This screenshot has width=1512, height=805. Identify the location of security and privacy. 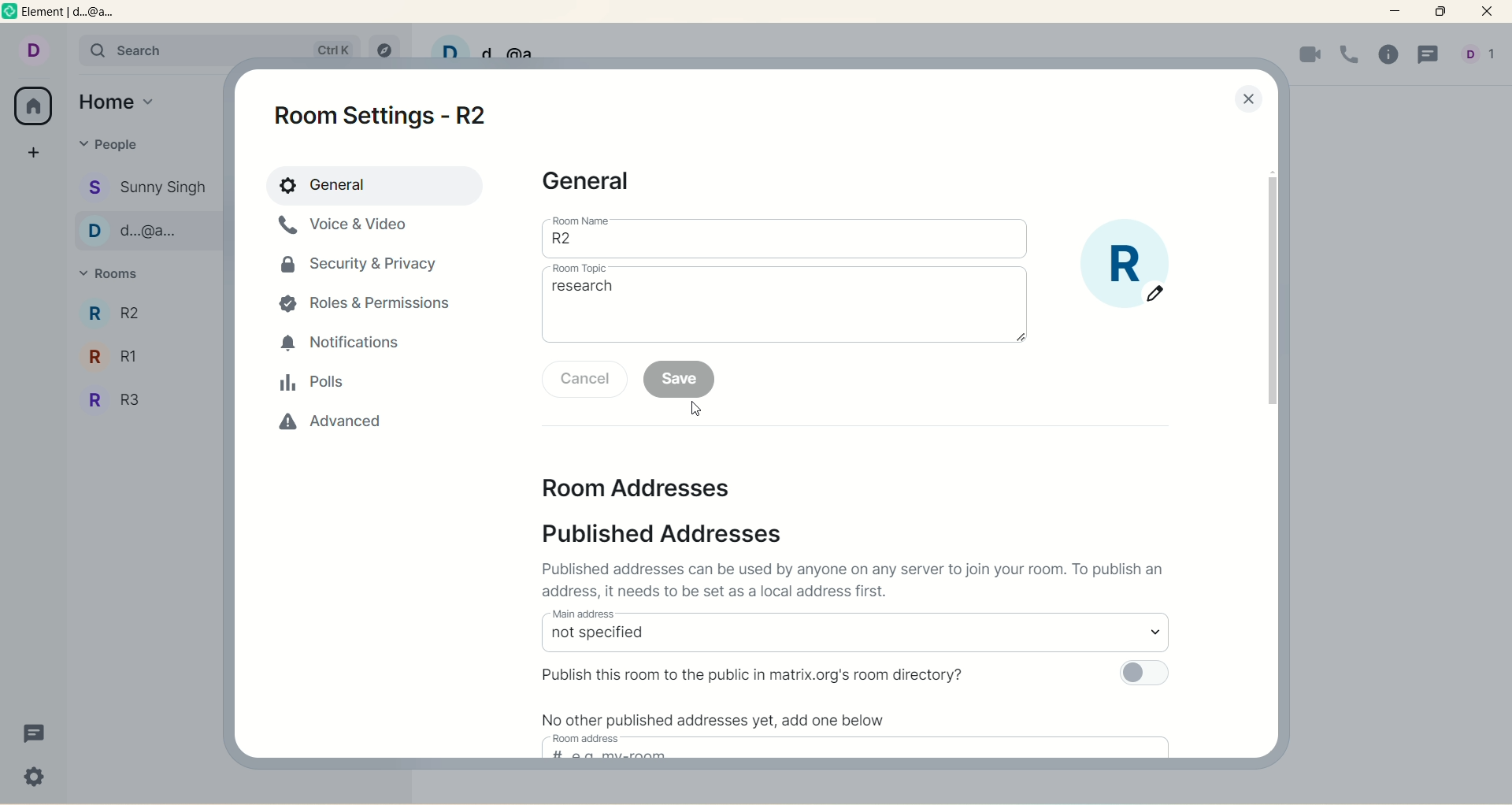
(361, 271).